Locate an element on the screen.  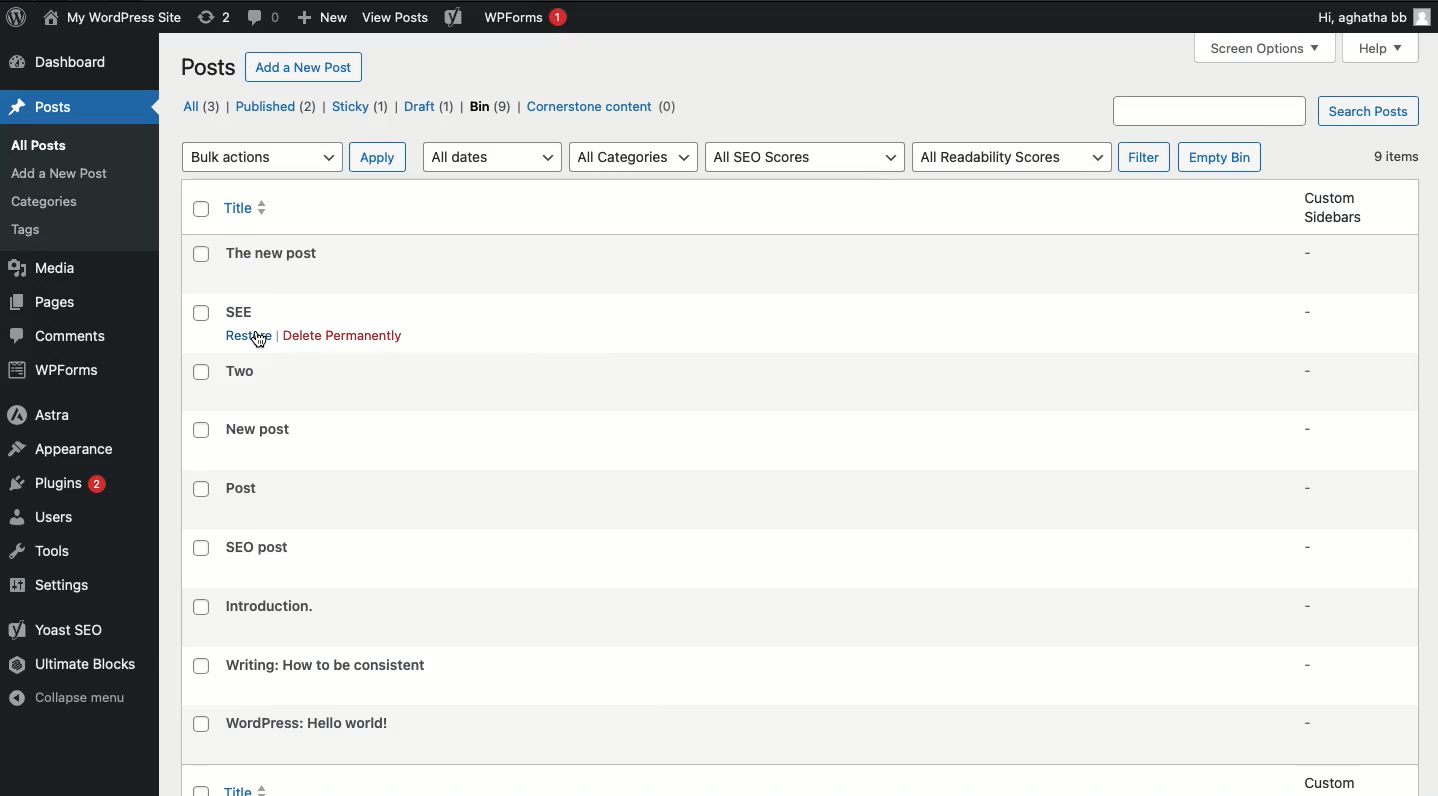
Comments is located at coordinates (264, 18).